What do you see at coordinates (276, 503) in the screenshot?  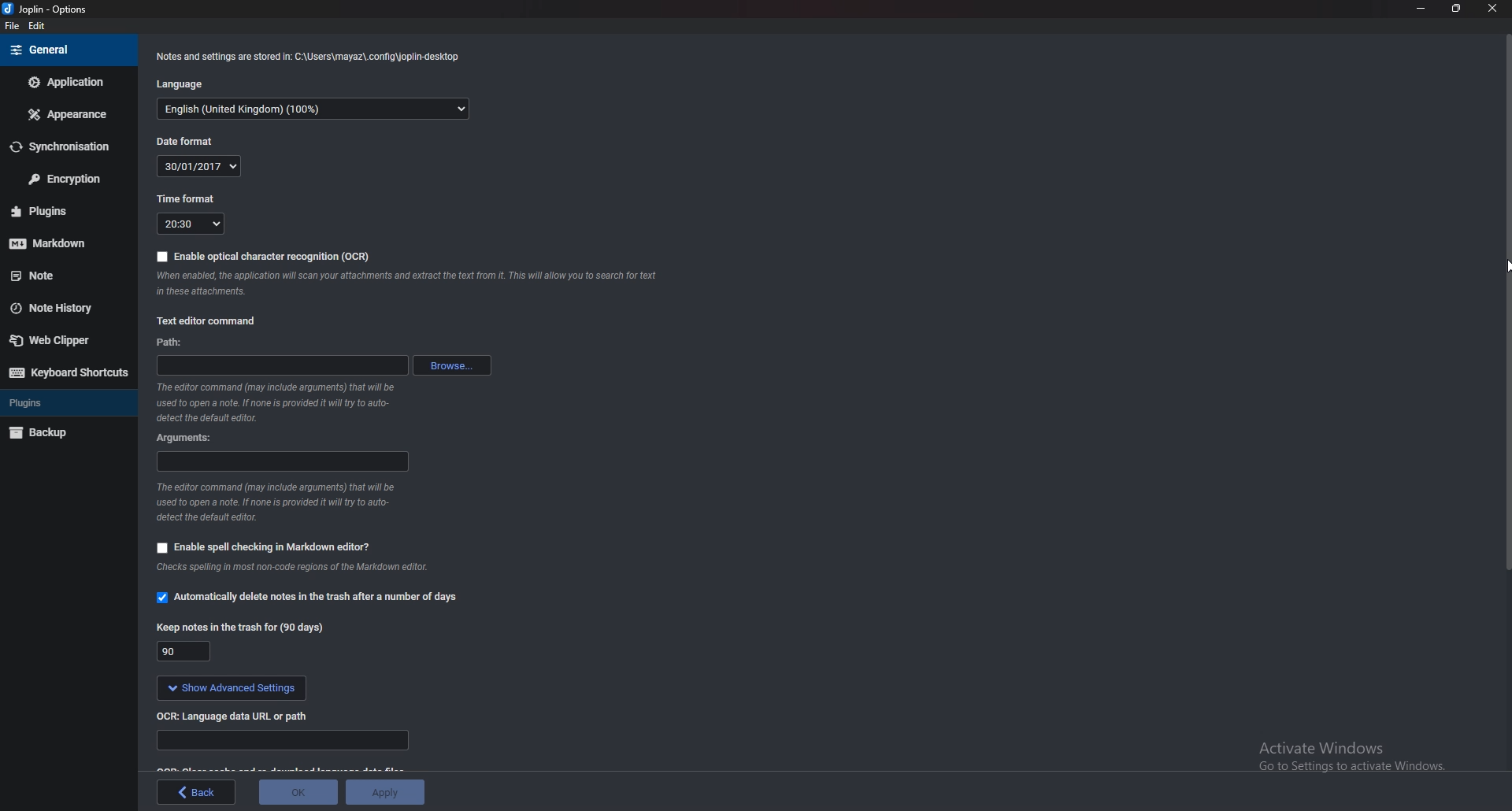 I see `Info on editor command` at bounding box center [276, 503].